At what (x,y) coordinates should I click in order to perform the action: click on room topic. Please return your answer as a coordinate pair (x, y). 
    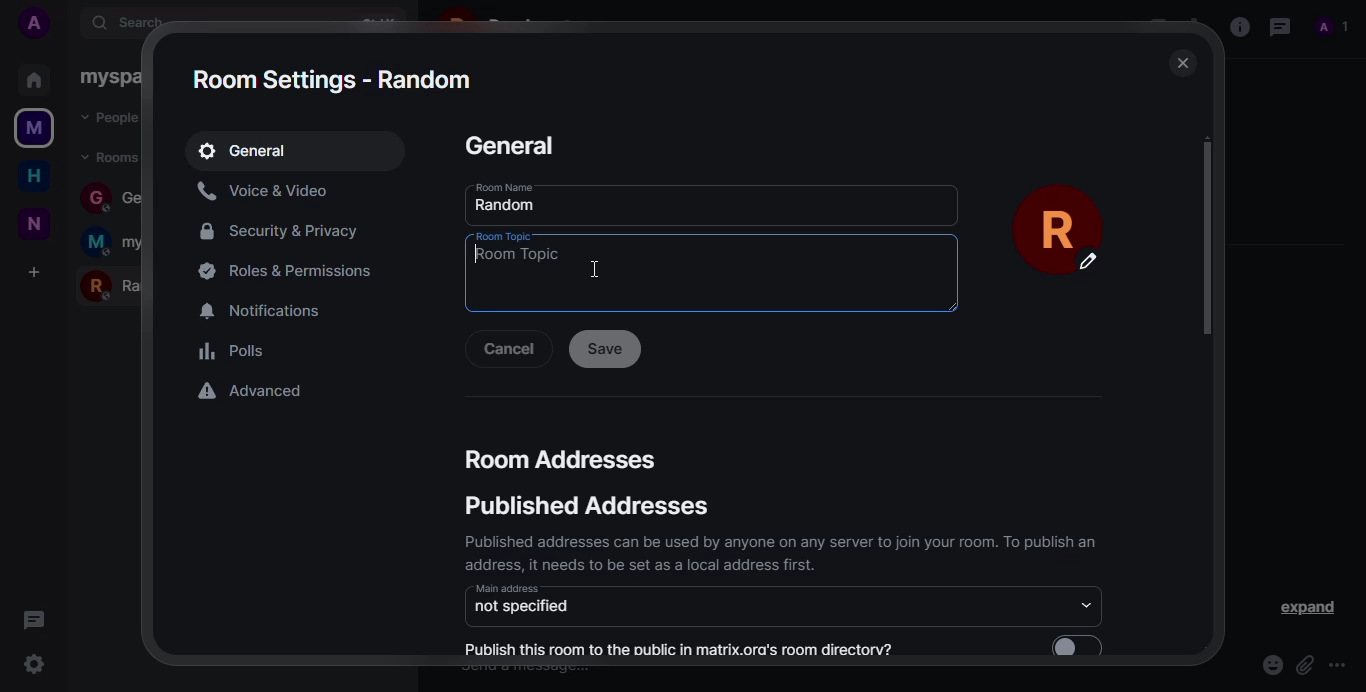
    Looking at the image, I should click on (548, 260).